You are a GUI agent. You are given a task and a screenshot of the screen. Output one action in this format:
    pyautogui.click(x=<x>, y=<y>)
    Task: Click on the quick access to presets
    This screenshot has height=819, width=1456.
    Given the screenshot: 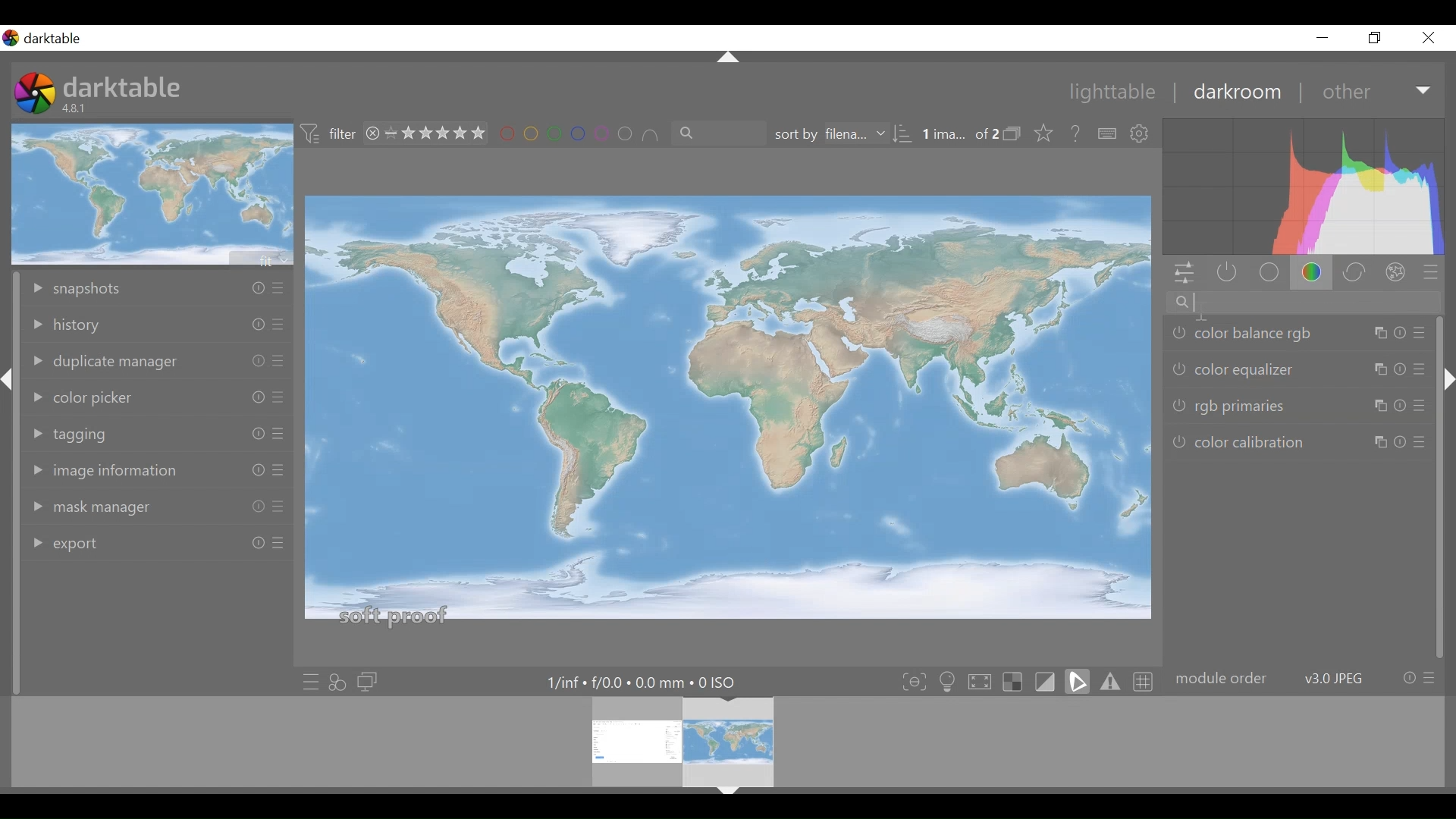 What is the action you would take?
    pyautogui.click(x=310, y=682)
    